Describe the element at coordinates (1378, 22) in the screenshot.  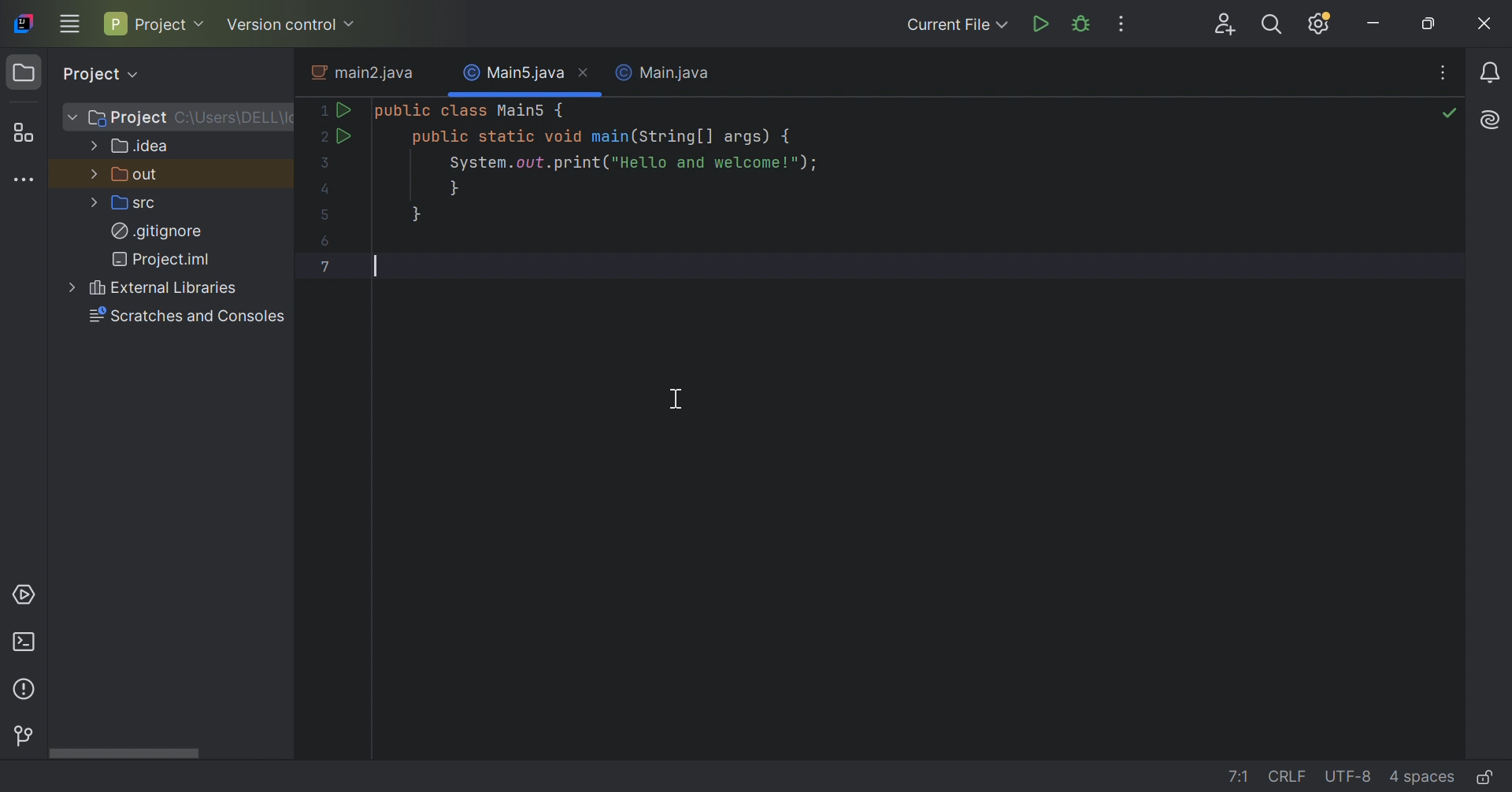
I see `Minimize` at that location.